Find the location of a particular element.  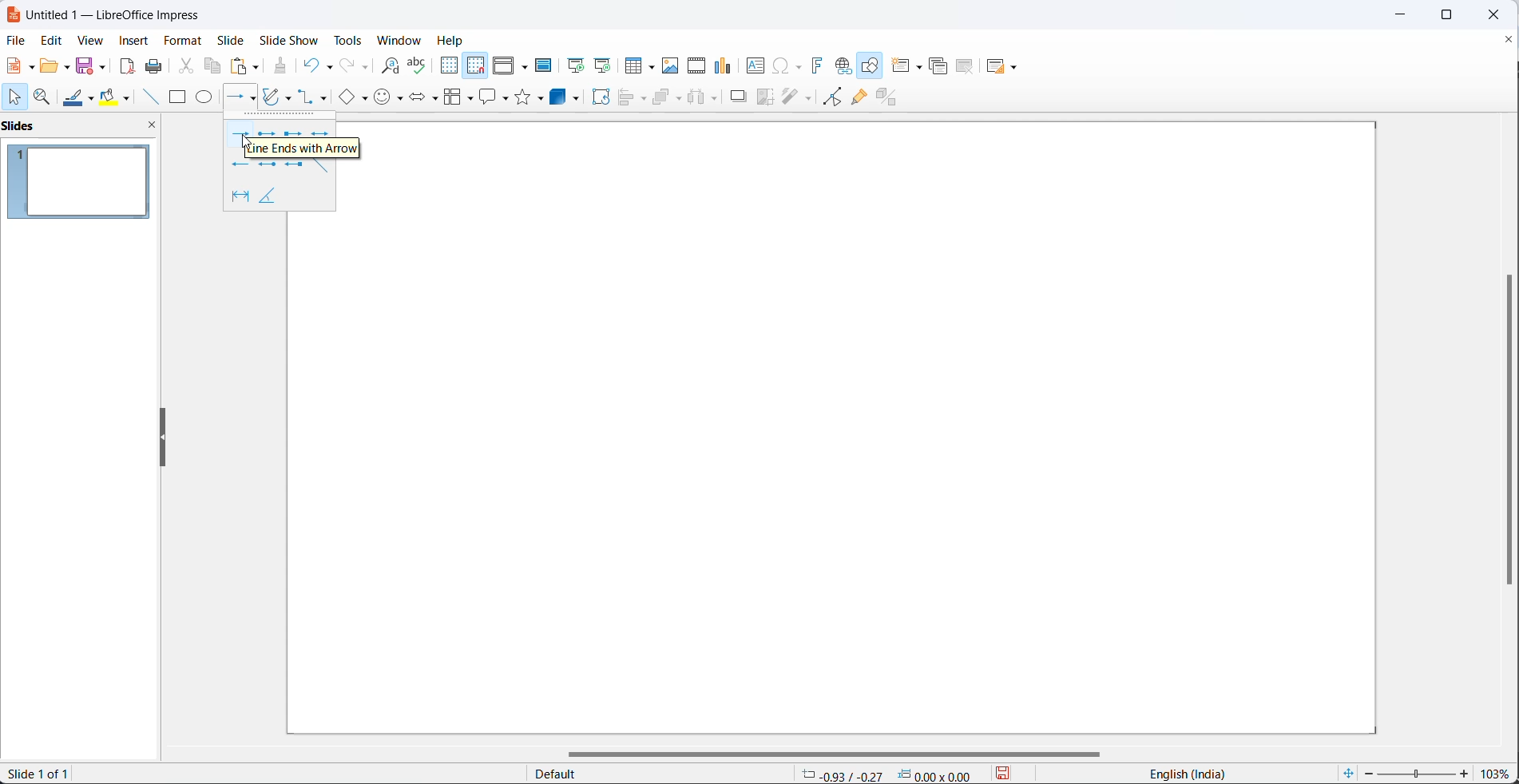

scroll bar is located at coordinates (846, 750).